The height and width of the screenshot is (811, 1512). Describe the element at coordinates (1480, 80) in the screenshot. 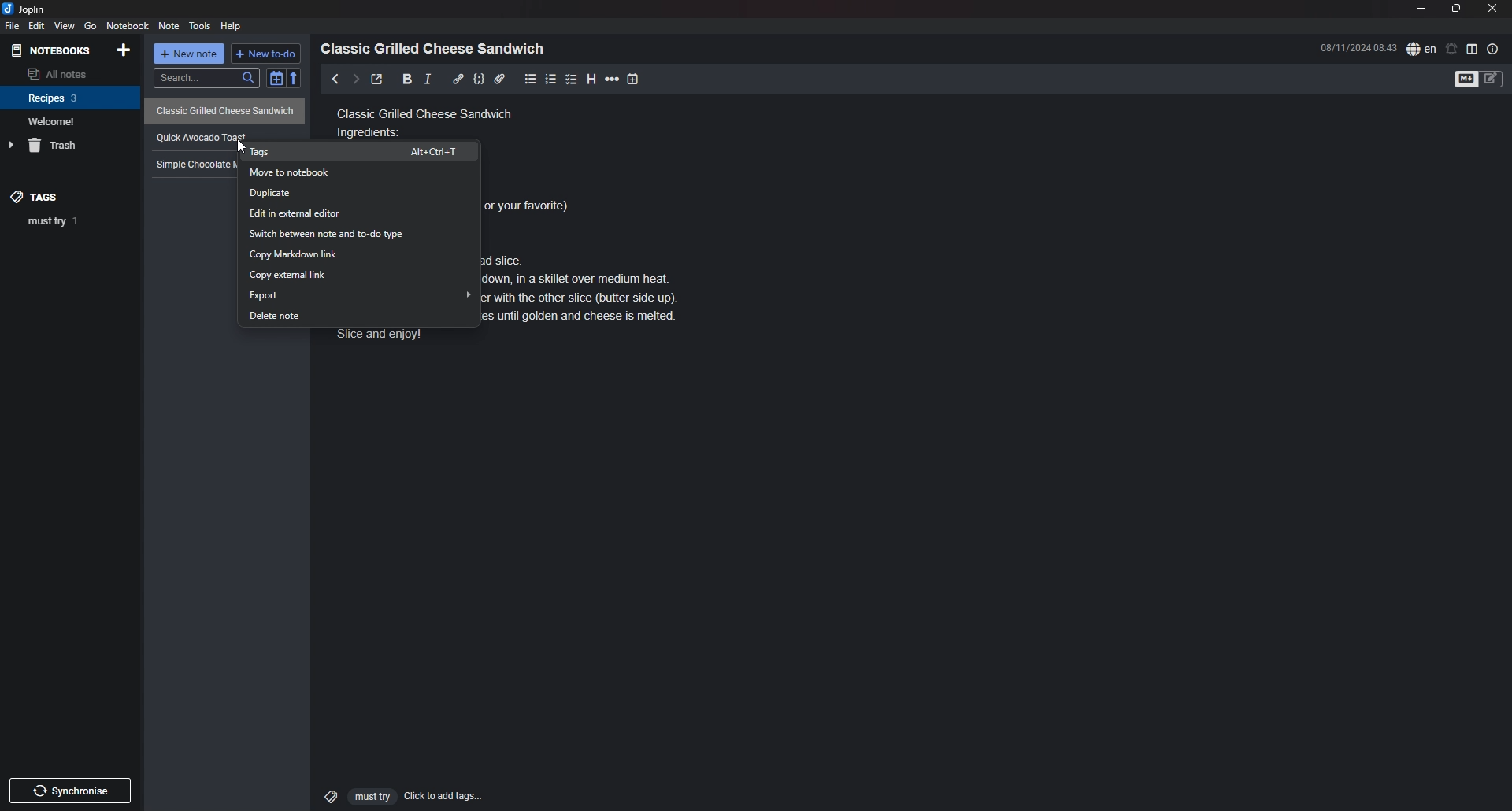

I see `toggle editor` at that location.